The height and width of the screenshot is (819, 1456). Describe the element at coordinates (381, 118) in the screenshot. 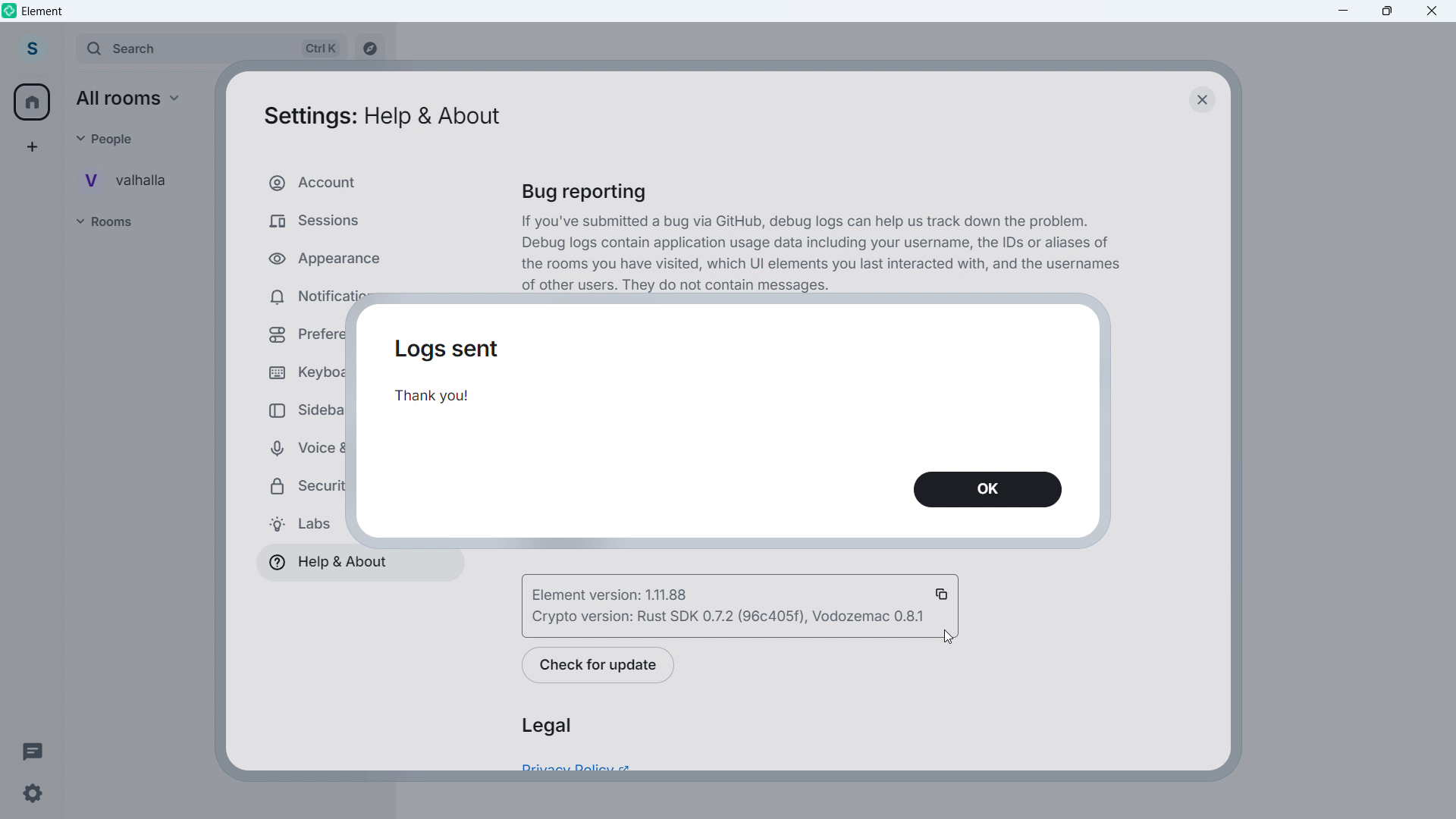

I see `Settings: help and above` at that location.